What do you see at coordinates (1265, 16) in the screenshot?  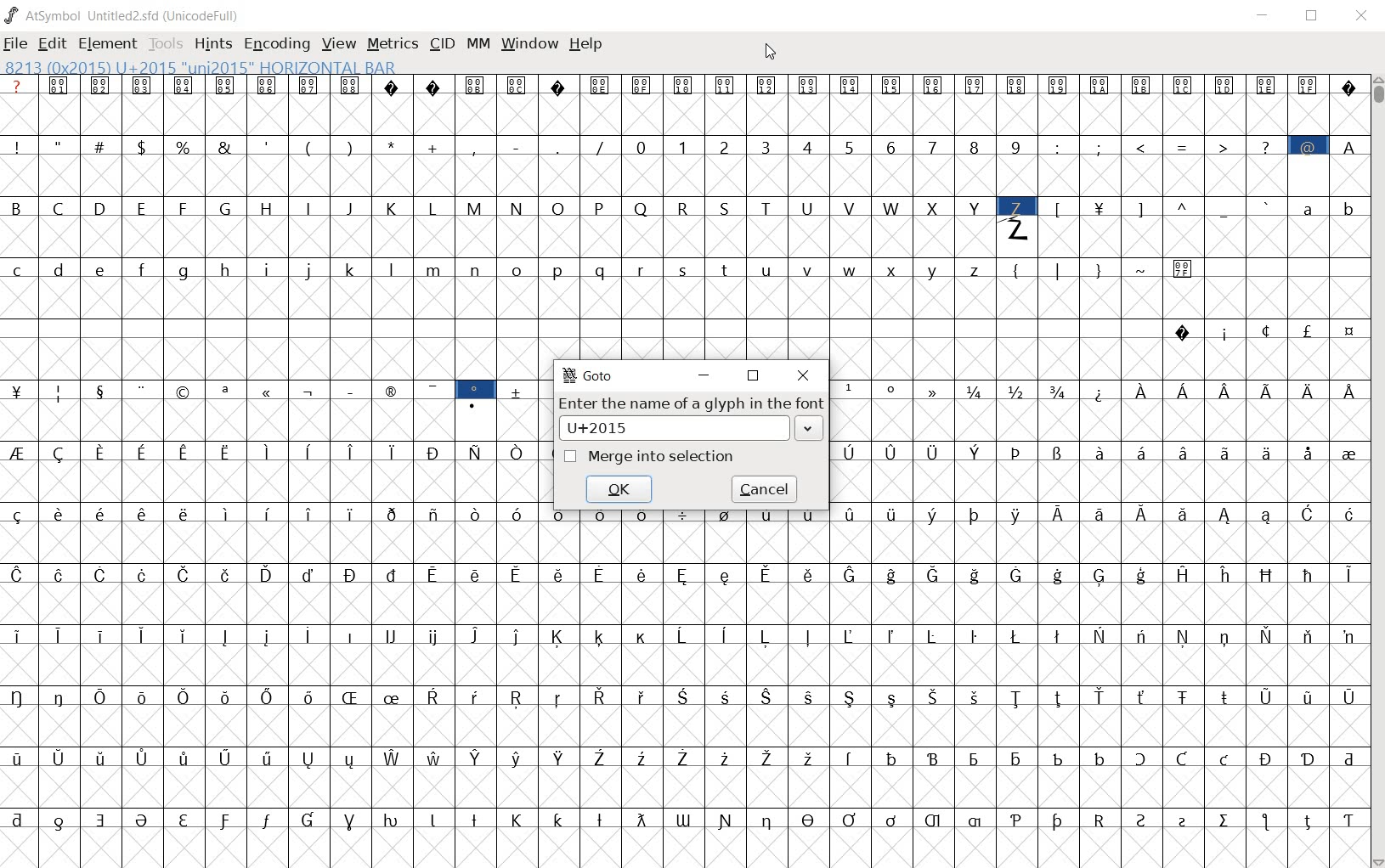 I see `MINIMIZE` at bounding box center [1265, 16].